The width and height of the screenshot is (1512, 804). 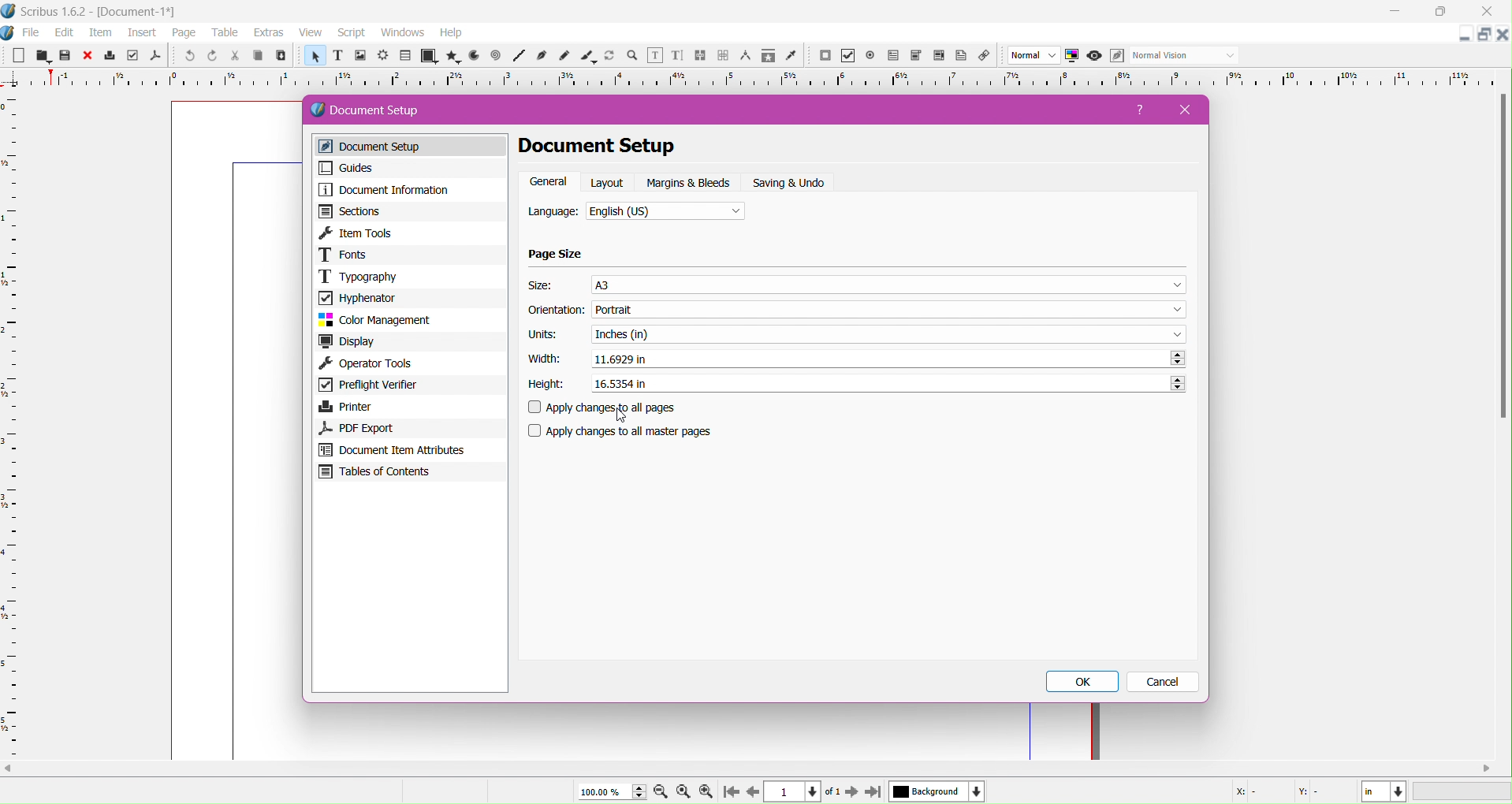 I want to click on Height, so click(x=546, y=385).